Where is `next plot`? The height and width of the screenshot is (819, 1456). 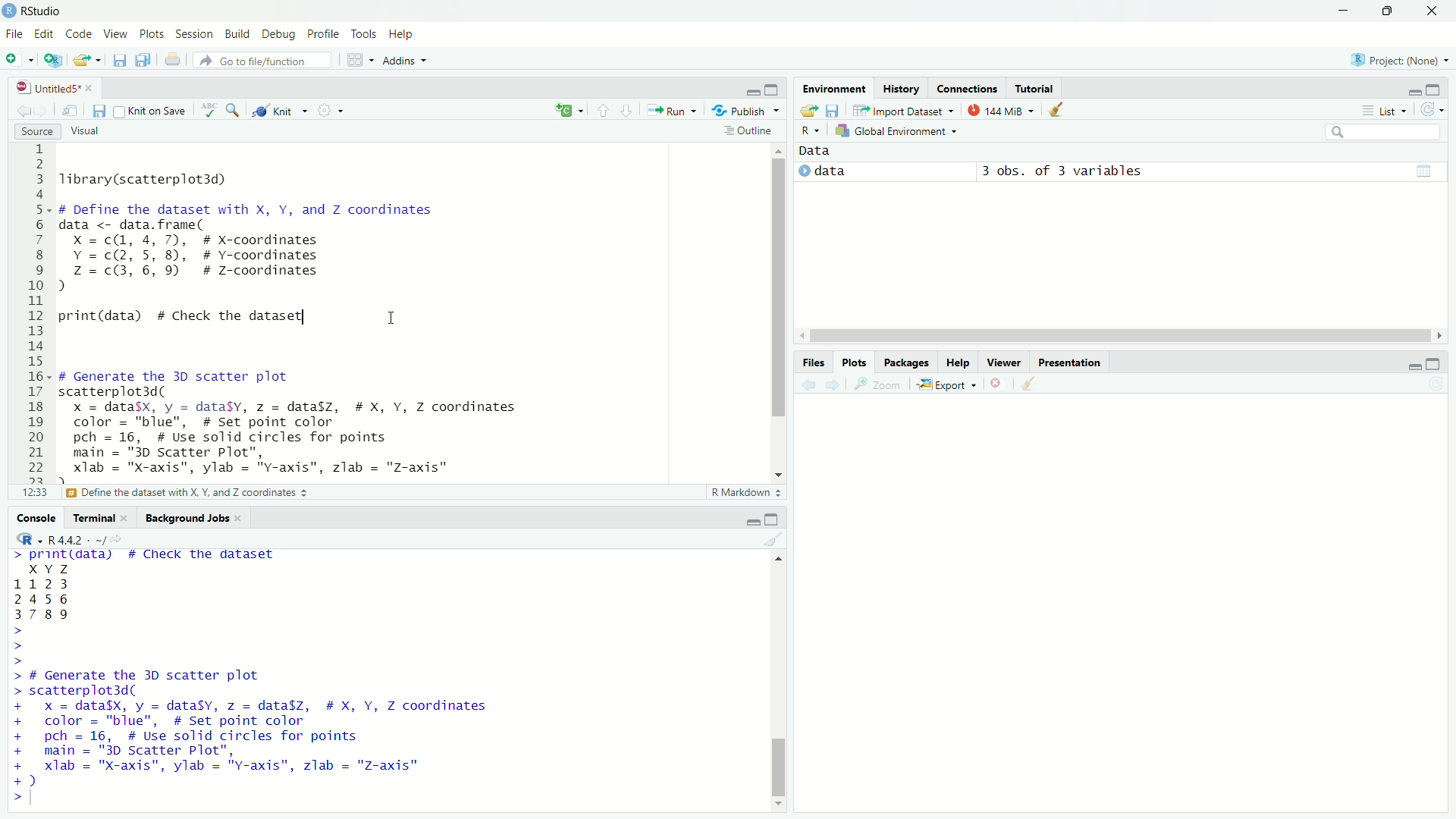 next plot is located at coordinates (832, 385).